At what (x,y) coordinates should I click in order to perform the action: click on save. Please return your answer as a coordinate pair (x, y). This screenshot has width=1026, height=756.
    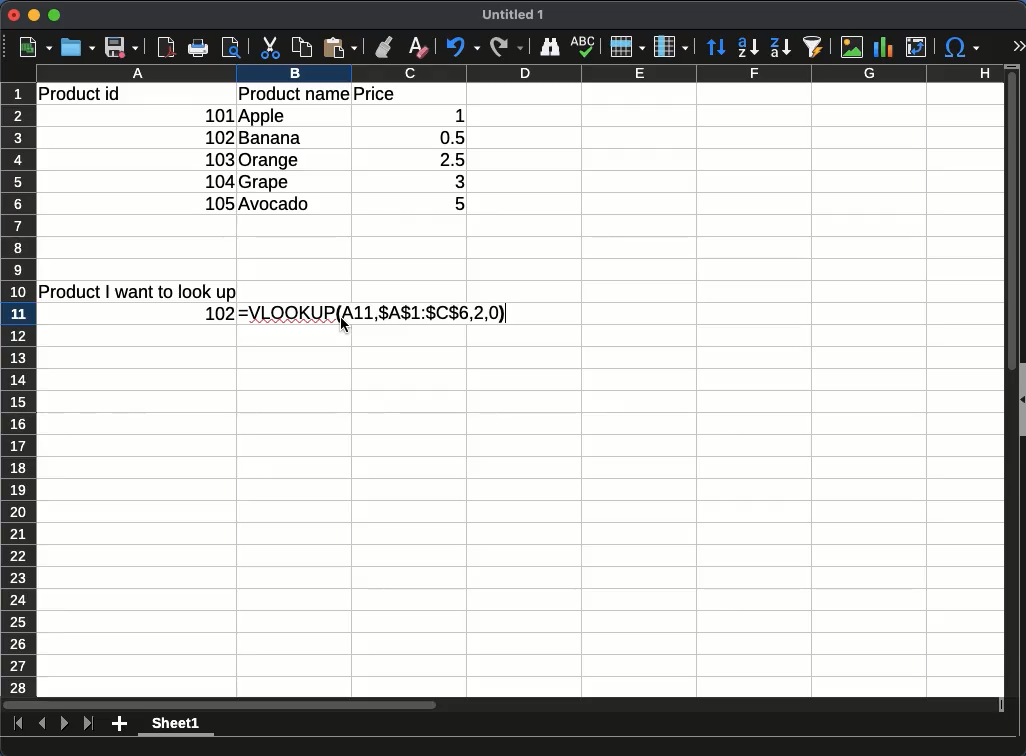
    Looking at the image, I should click on (122, 47).